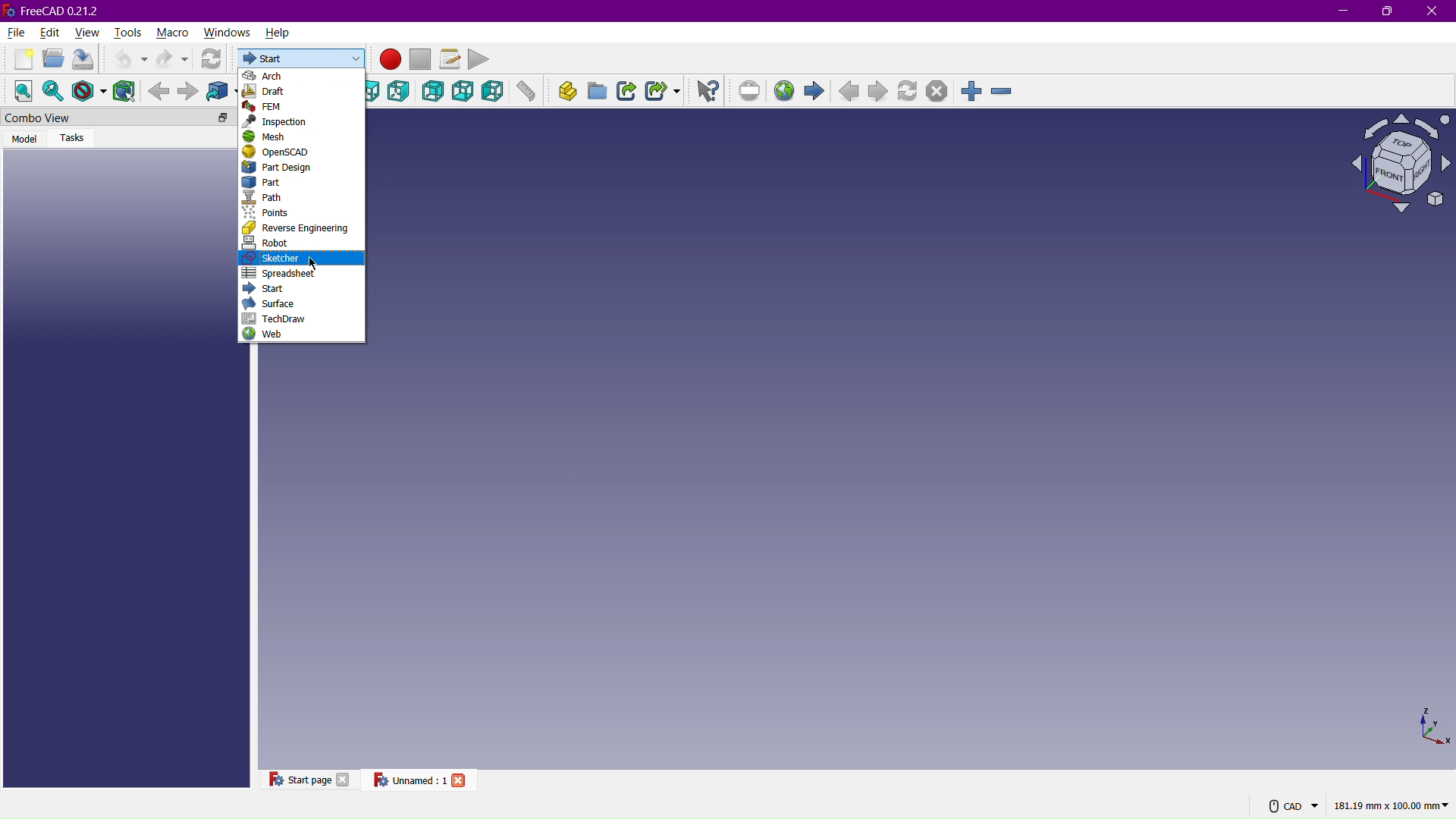 This screenshot has width=1456, height=819. I want to click on Bounding Box, so click(124, 89).